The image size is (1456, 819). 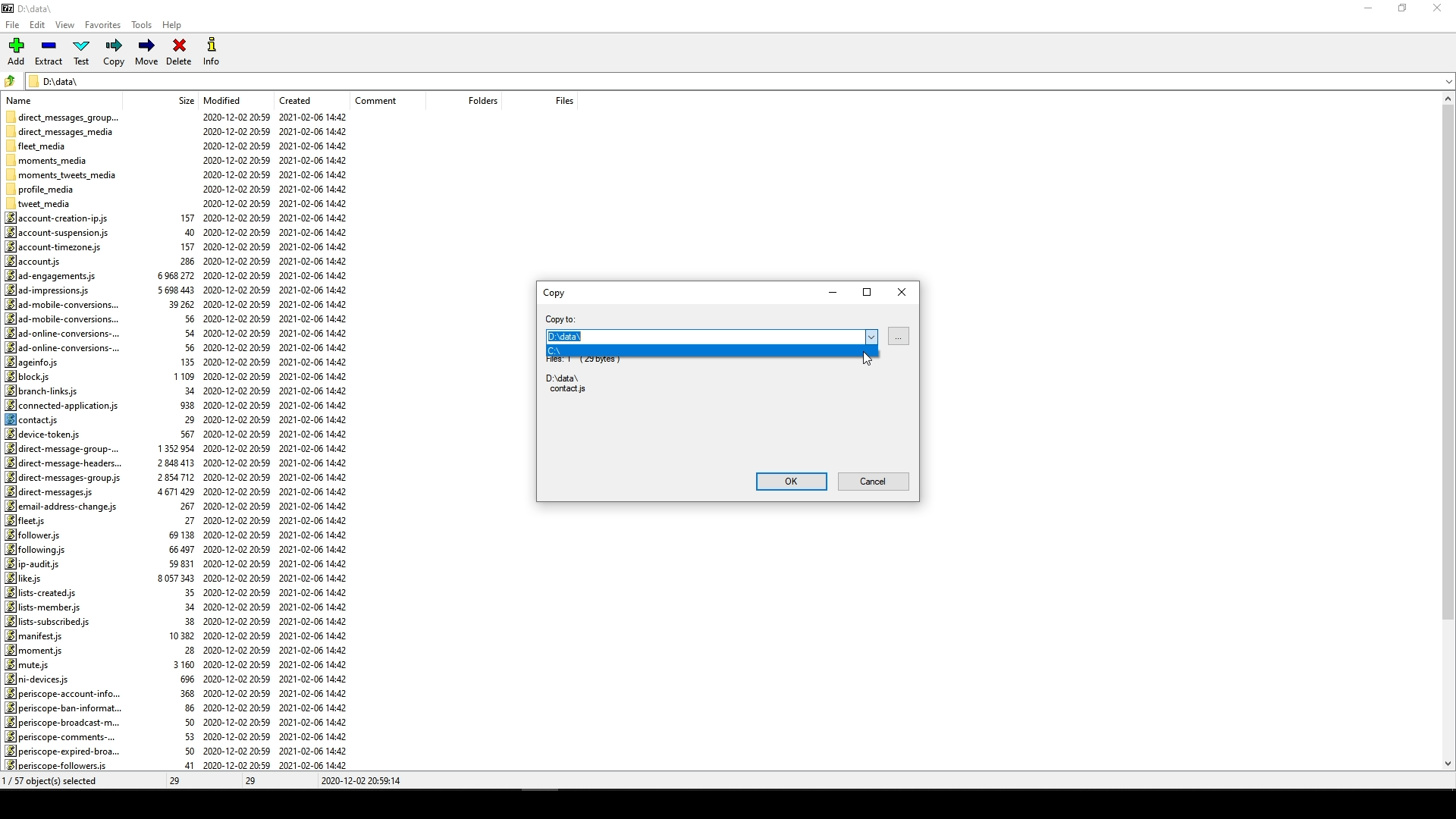 I want to click on files, so click(x=554, y=99).